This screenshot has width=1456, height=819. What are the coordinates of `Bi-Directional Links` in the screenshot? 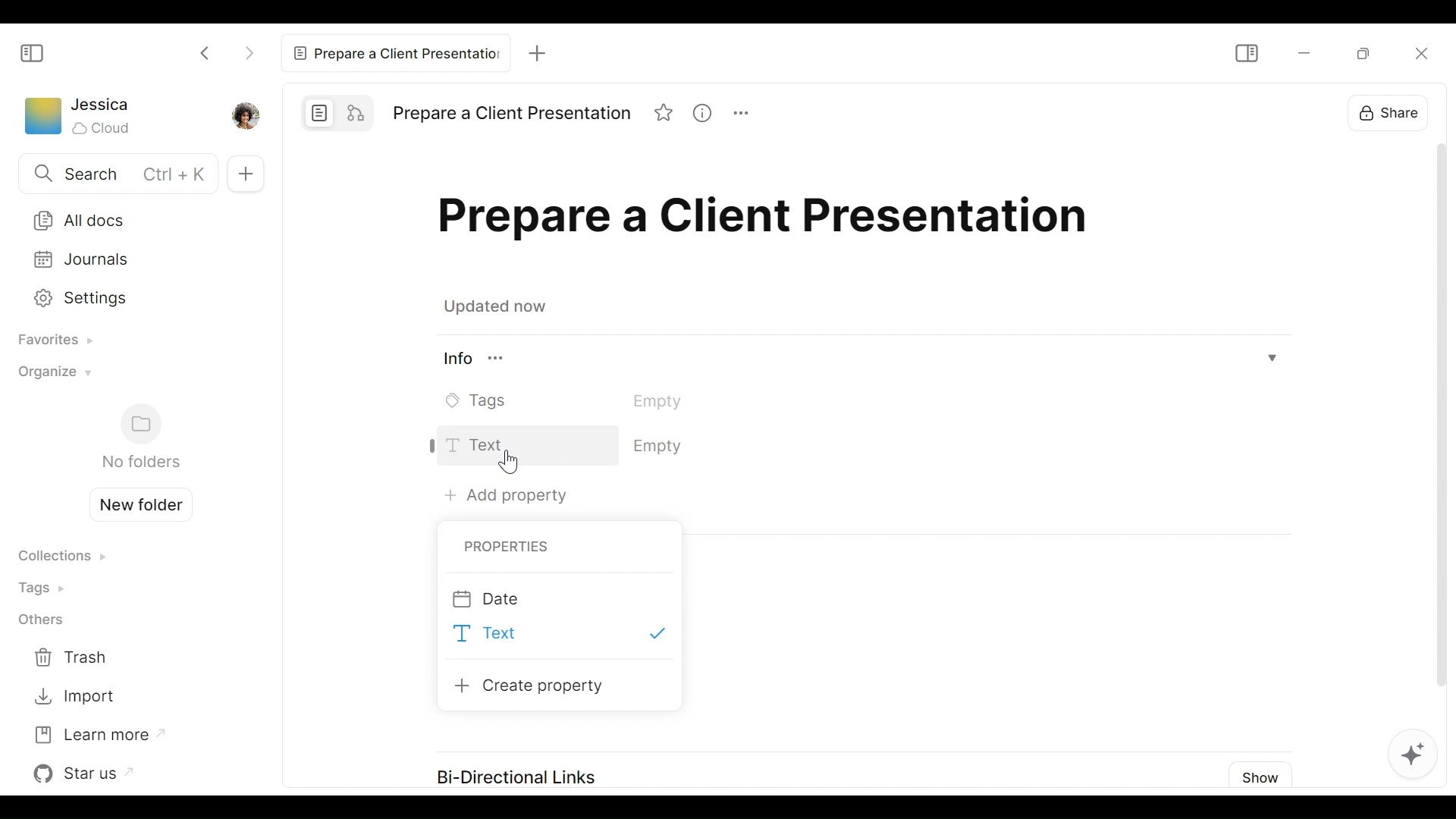 It's located at (546, 778).